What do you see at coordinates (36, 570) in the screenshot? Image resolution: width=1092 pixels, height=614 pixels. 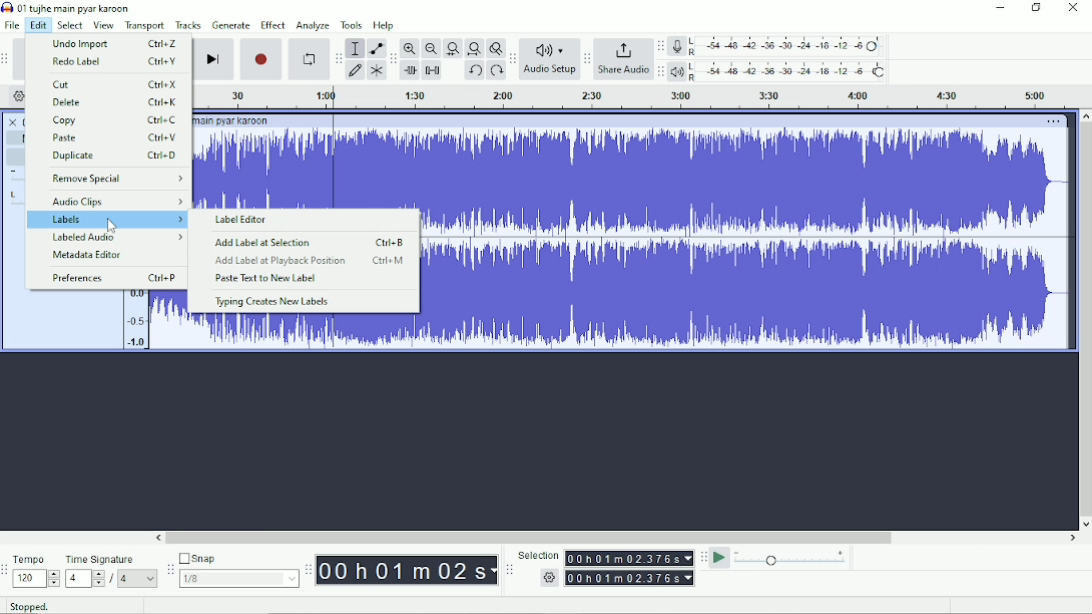 I see `Tempo` at bounding box center [36, 570].